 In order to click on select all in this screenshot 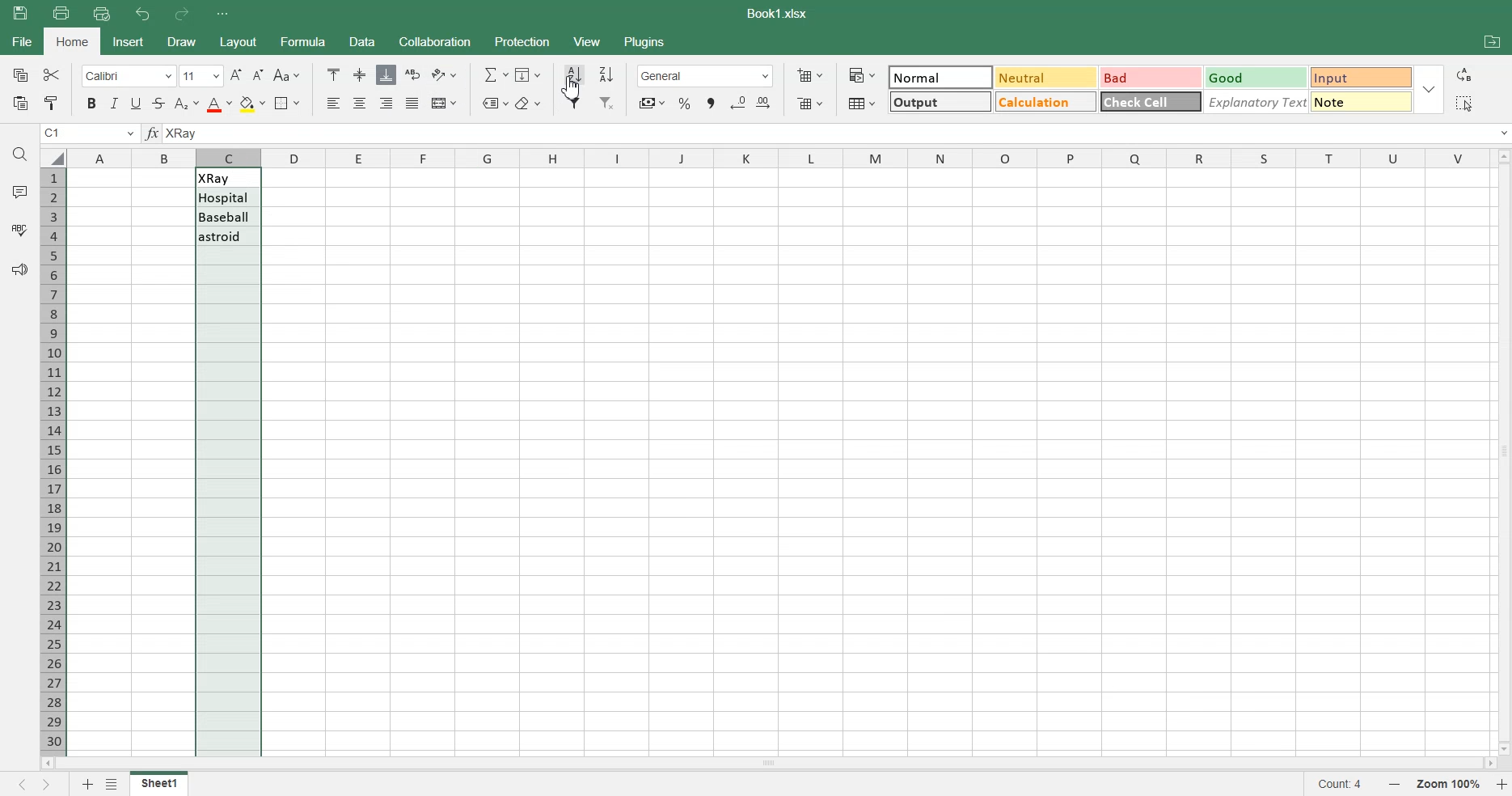, I will do `click(52, 156)`.